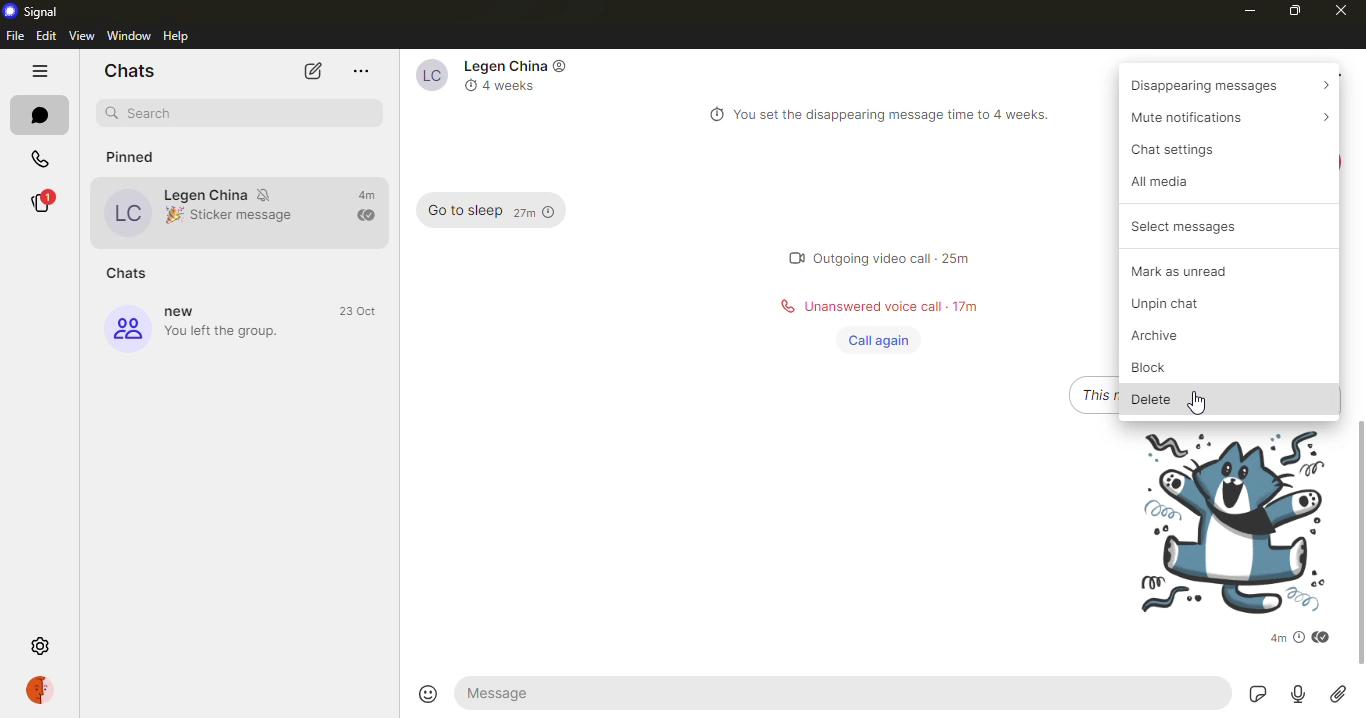 This screenshot has width=1366, height=718. I want to click on Legen China, so click(206, 194).